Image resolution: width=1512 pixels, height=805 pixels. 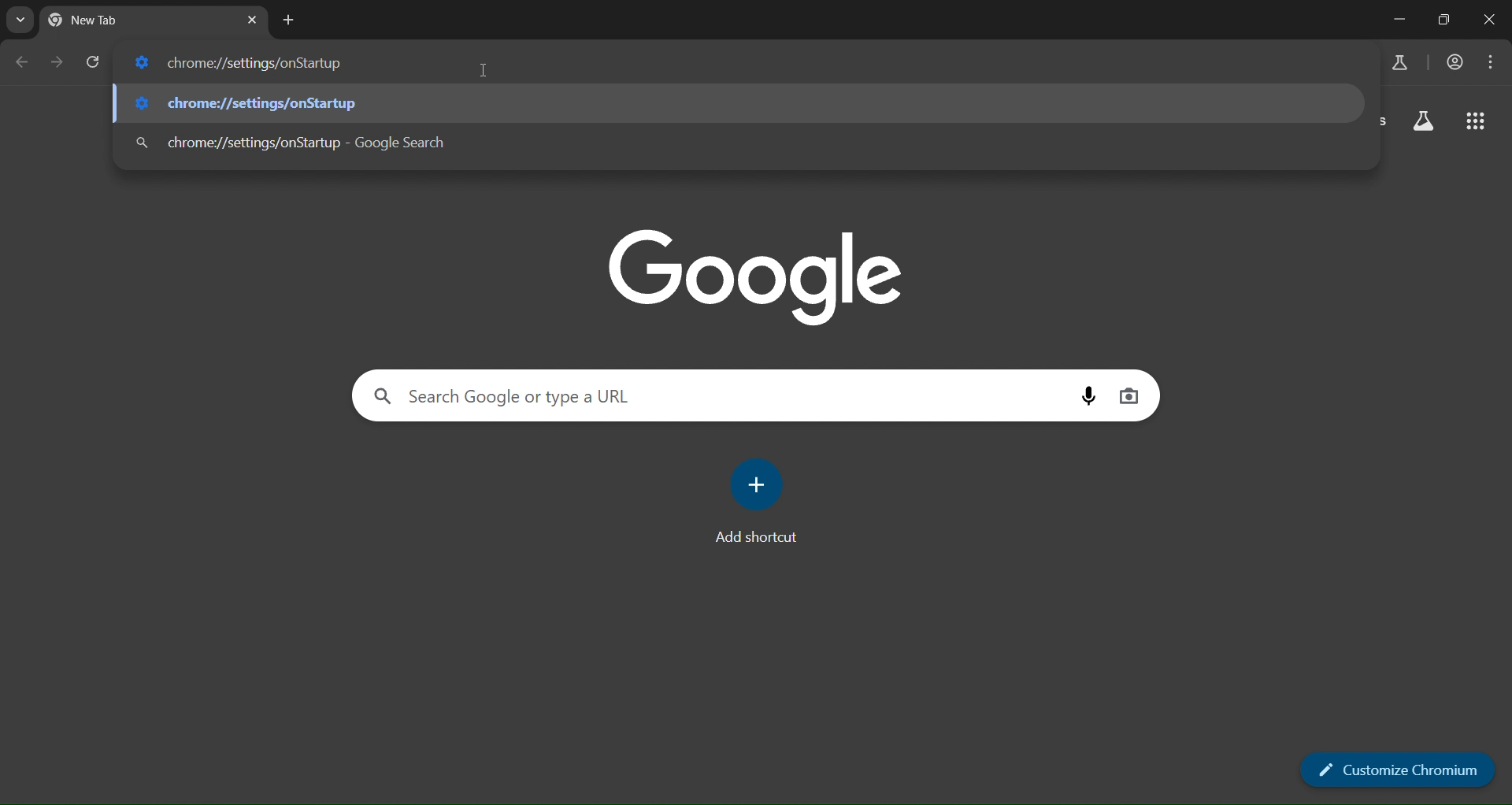 I want to click on voice search, so click(x=1087, y=397).